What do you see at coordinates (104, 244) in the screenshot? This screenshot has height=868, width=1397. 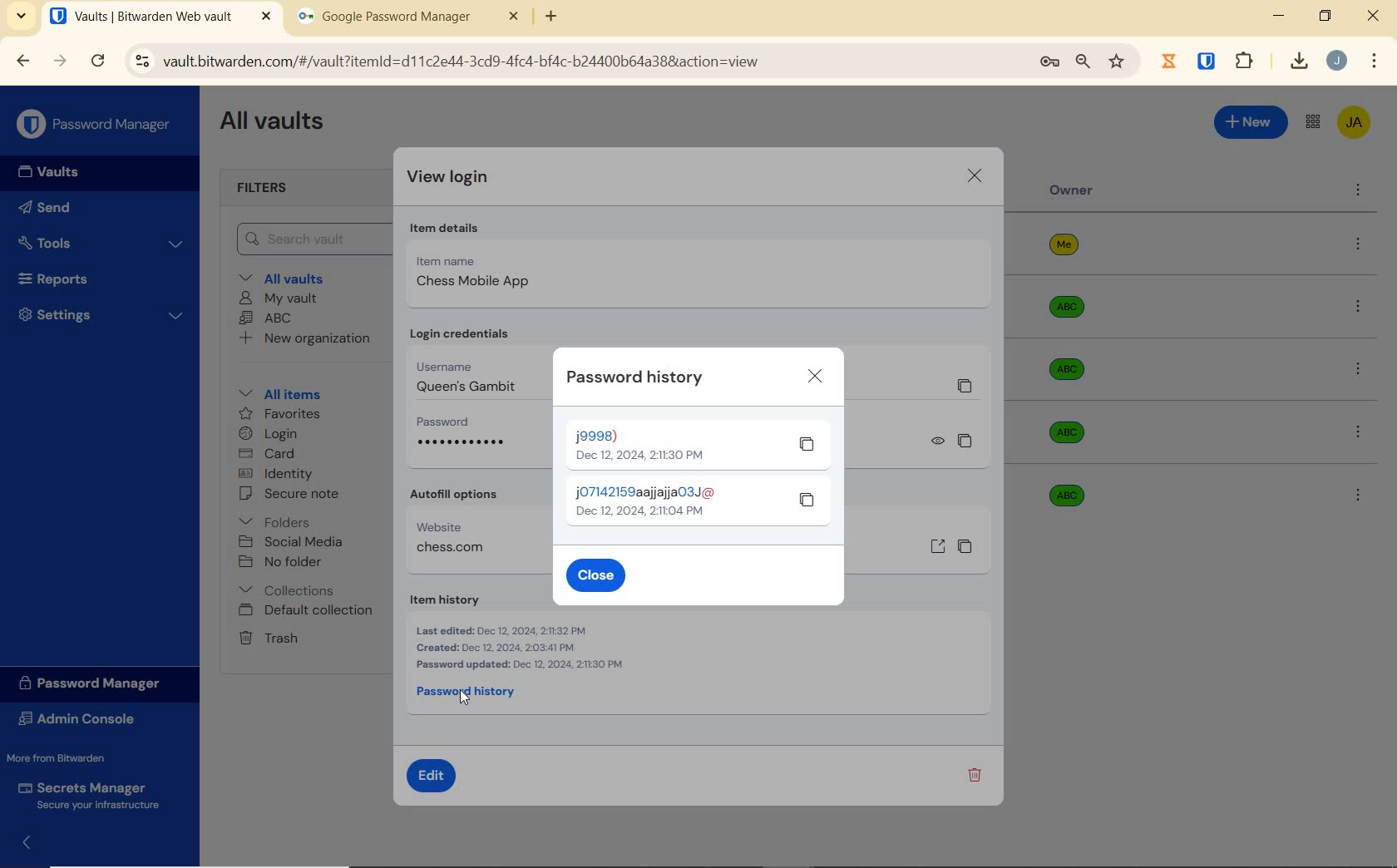 I see `Tools` at bounding box center [104, 244].